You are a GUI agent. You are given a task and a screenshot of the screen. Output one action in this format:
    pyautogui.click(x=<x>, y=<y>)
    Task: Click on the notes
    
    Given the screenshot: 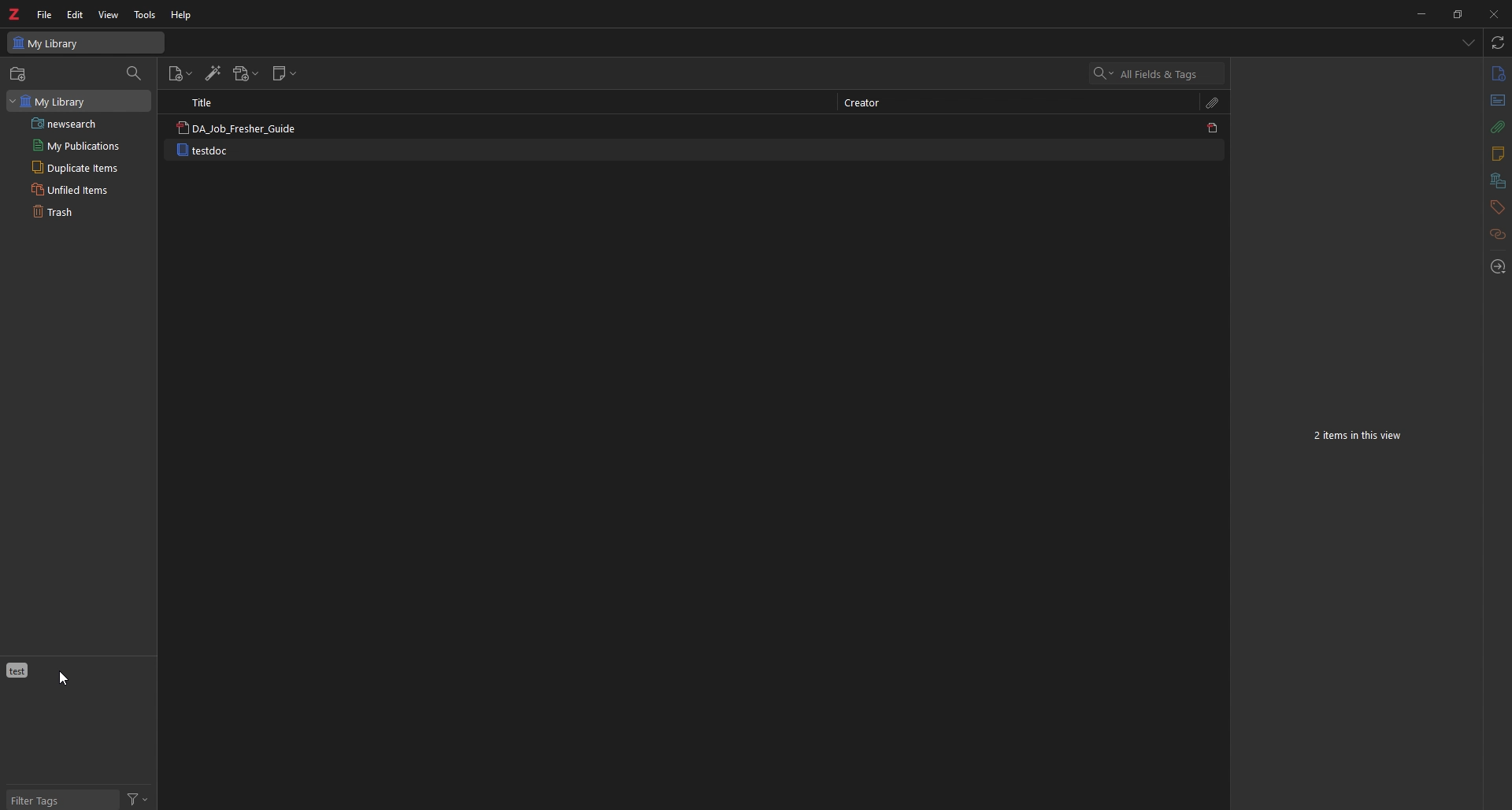 What is the action you would take?
    pyautogui.click(x=1496, y=154)
    